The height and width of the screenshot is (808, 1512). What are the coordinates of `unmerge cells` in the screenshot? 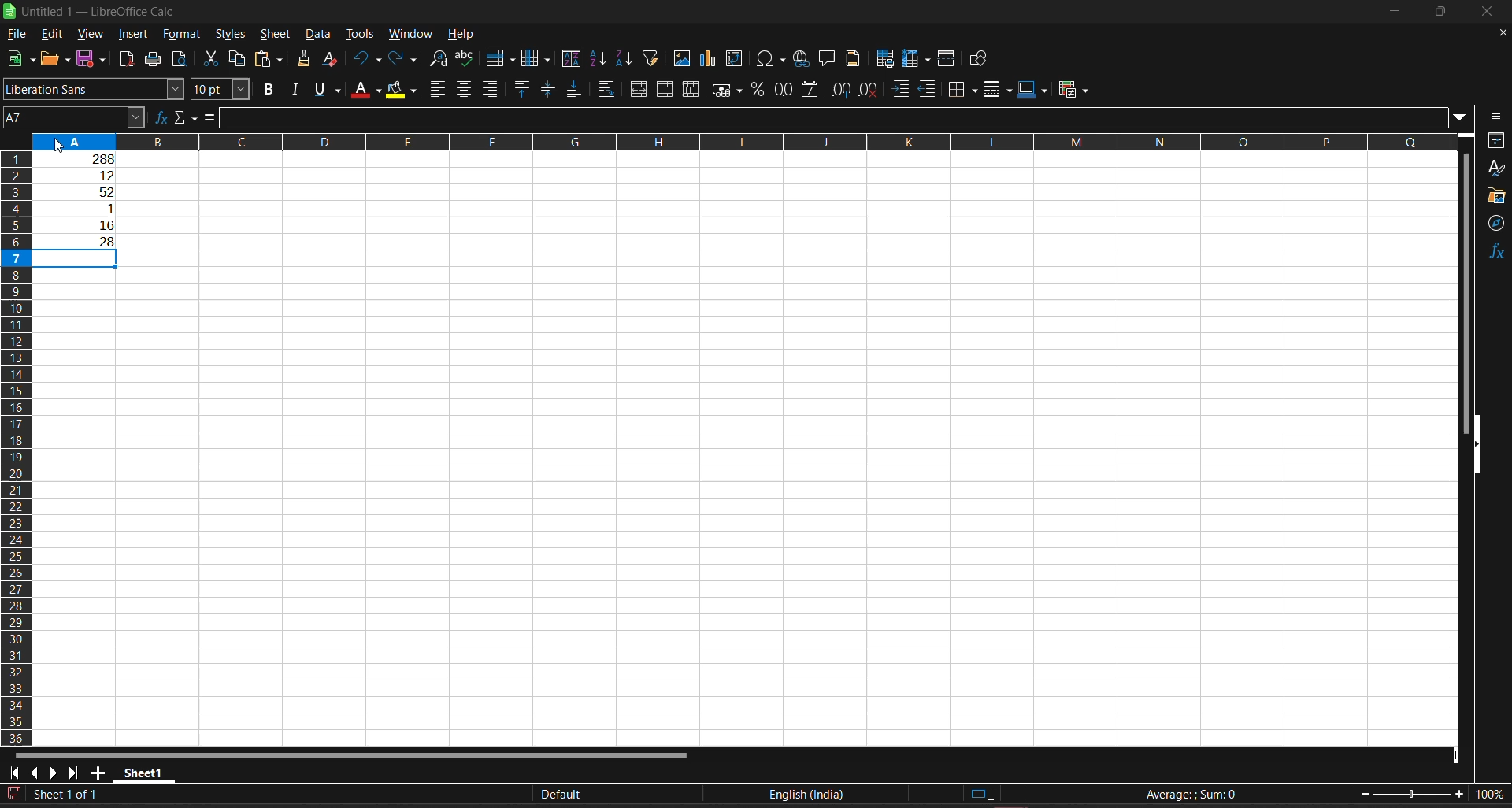 It's located at (691, 87).